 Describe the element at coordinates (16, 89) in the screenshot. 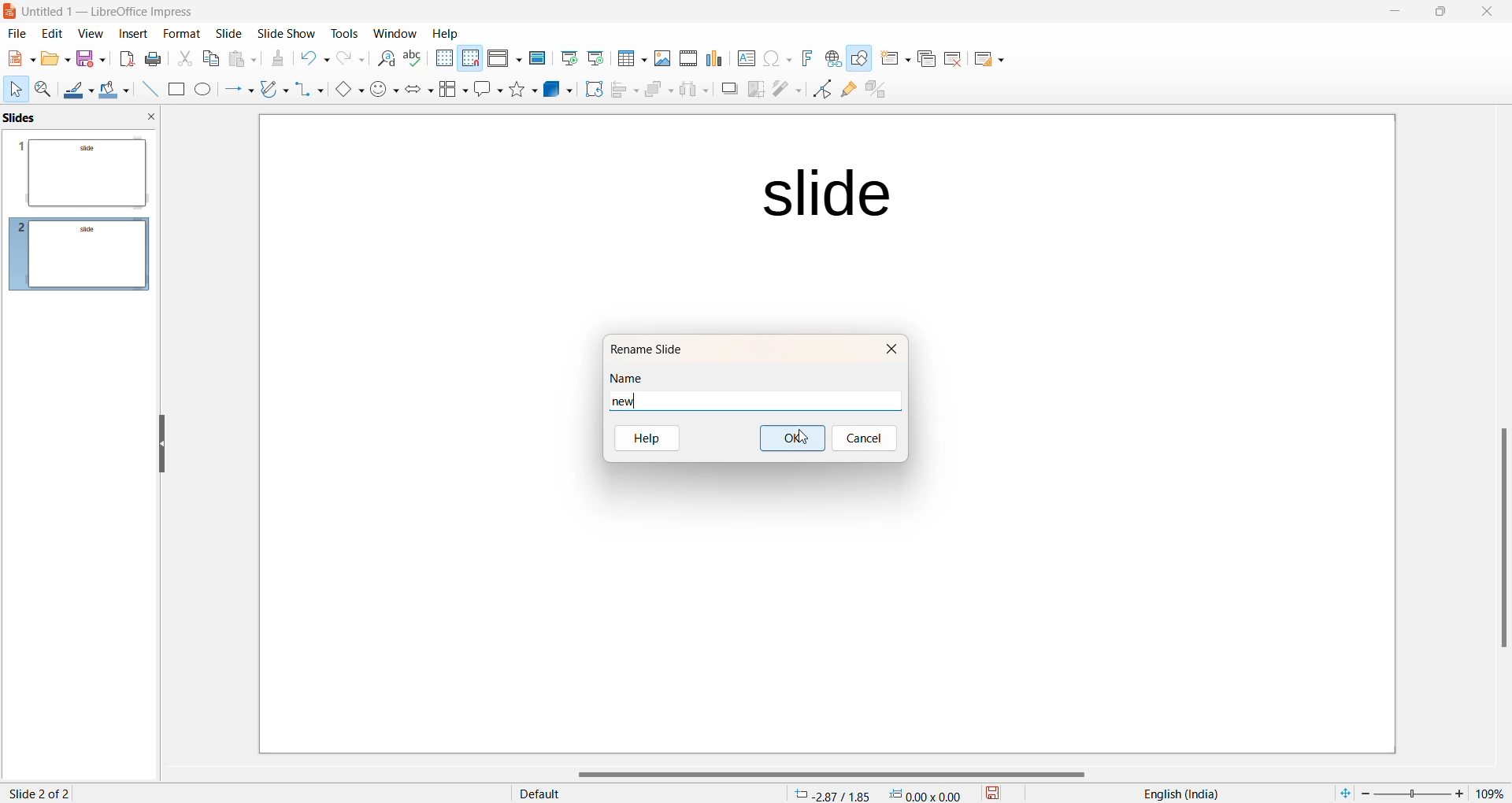

I see `Cursor` at that location.